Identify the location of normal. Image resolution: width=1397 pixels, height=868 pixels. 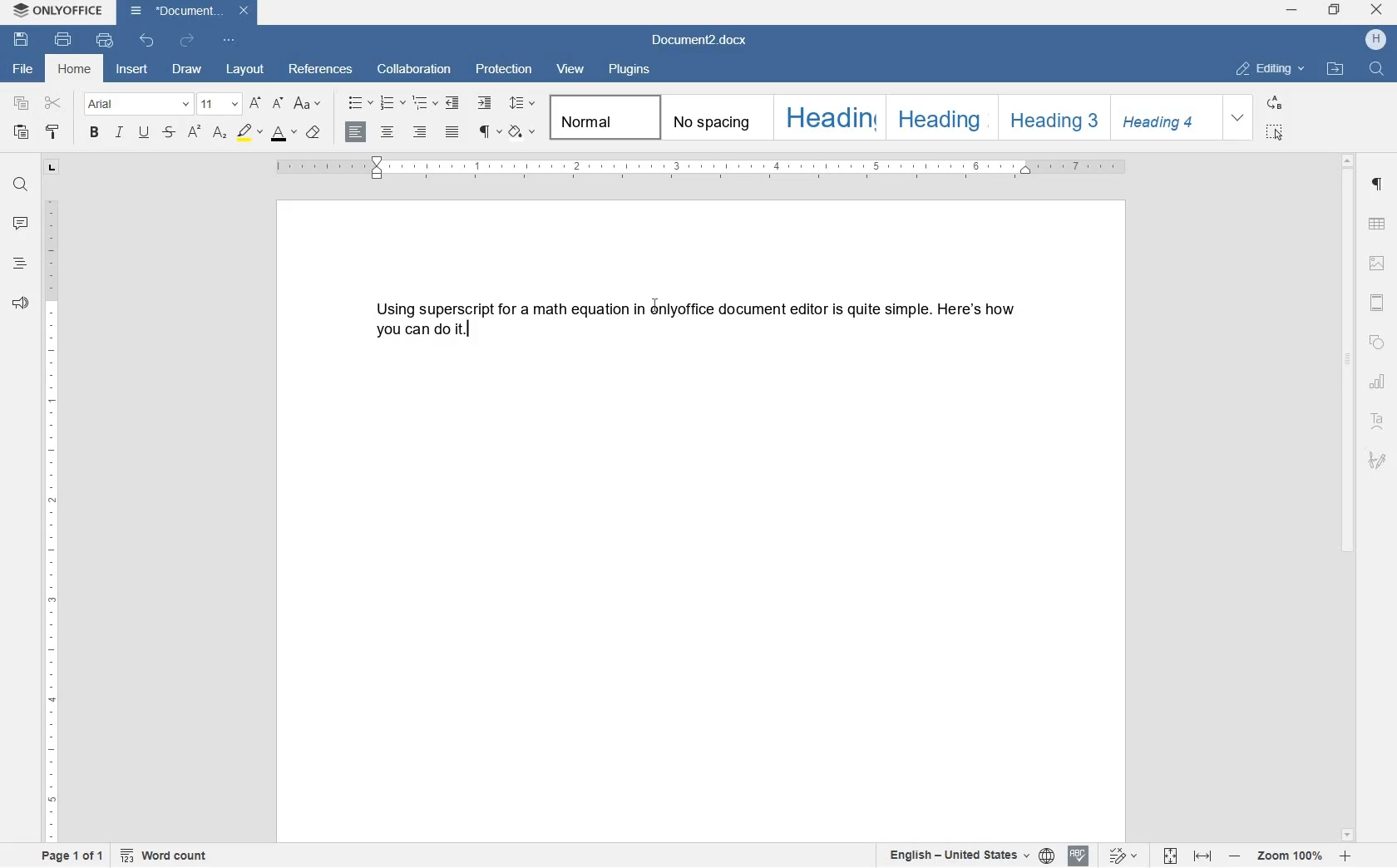
(601, 118).